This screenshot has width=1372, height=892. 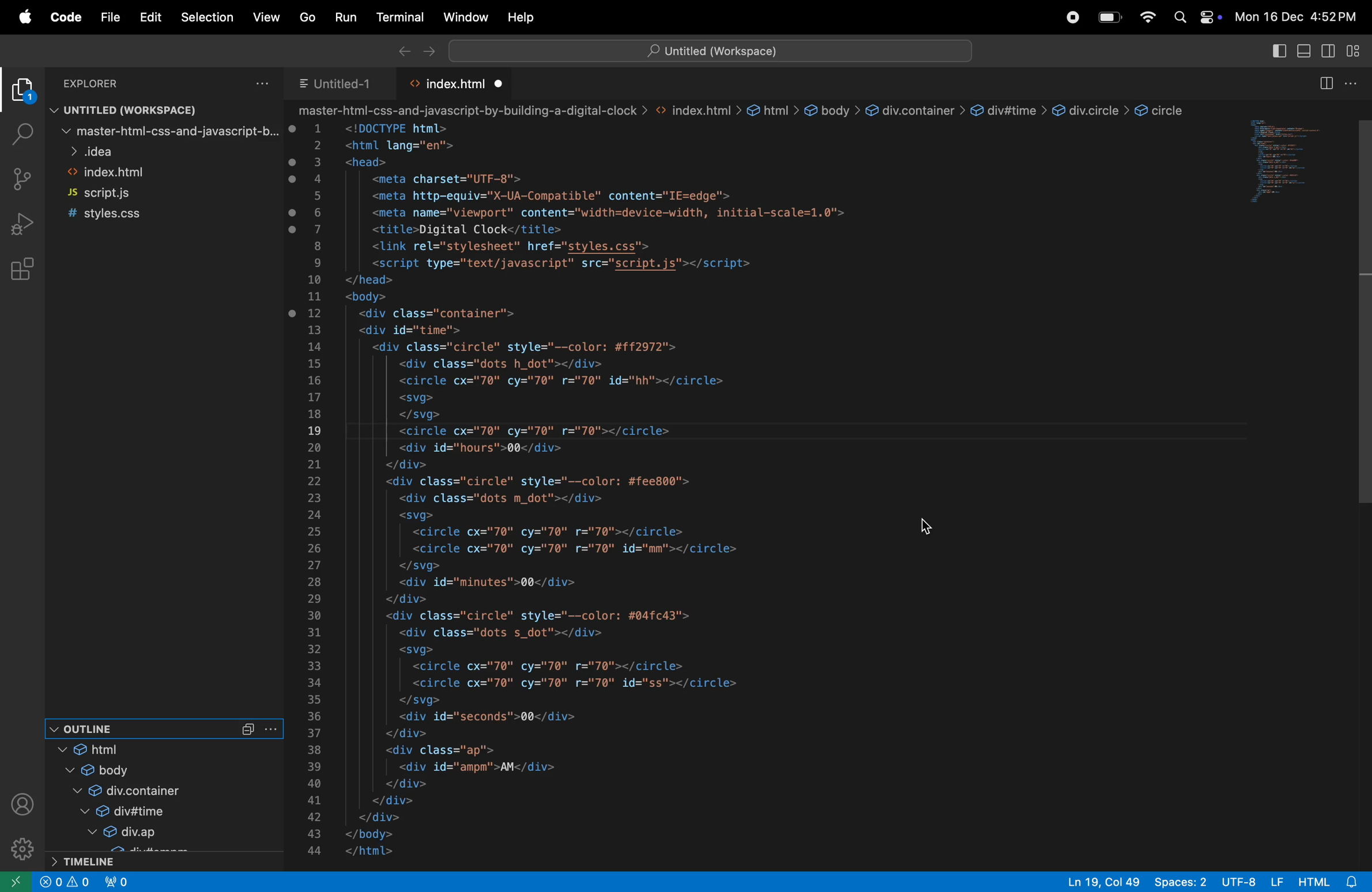 What do you see at coordinates (1298, 168) in the screenshot?
I see ` Code window` at bounding box center [1298, 168].